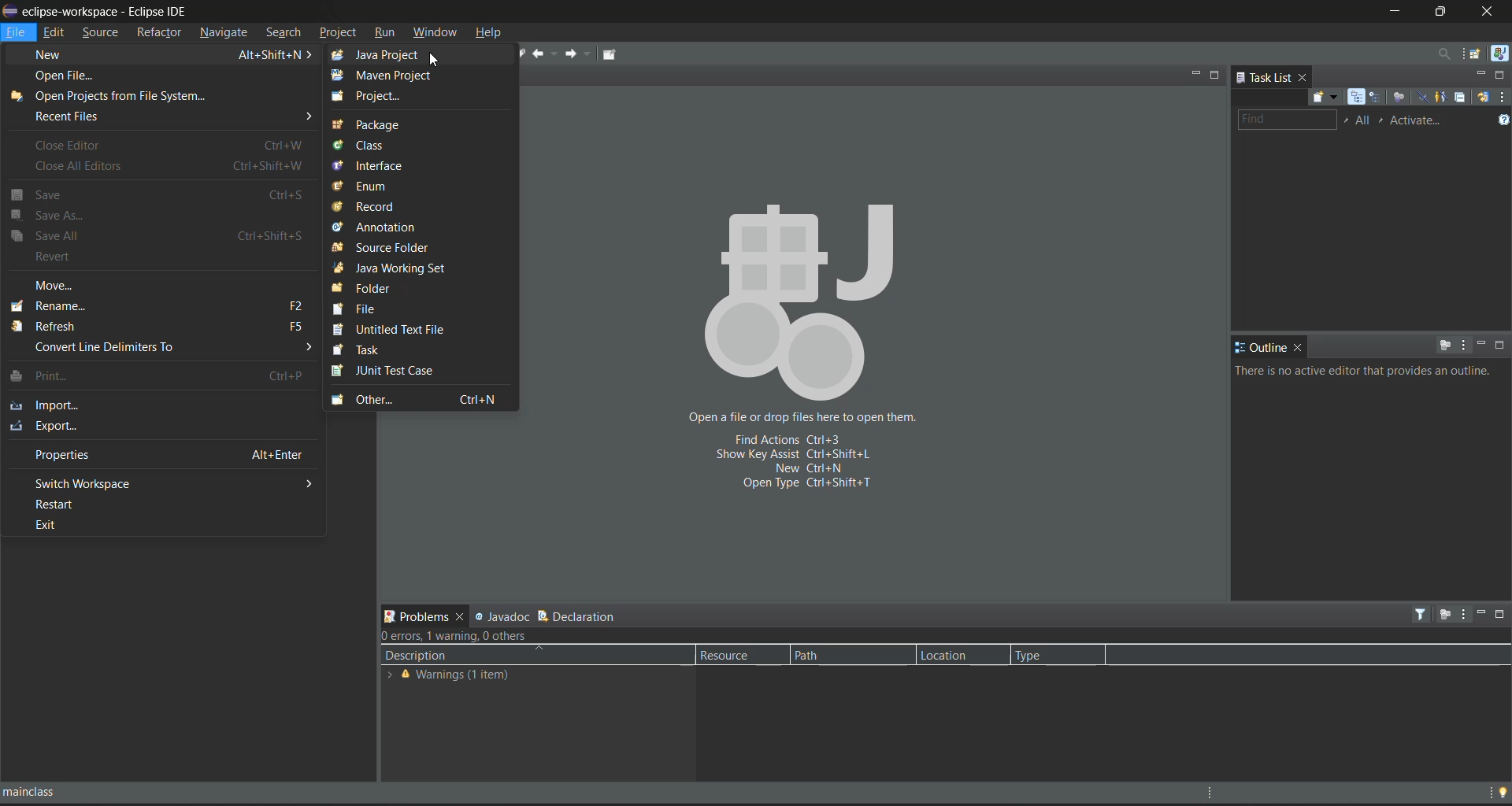  What do you see at coordinates (1263, 76) in the screenshot?
I see `task list` at bounding box center [1263, 76].